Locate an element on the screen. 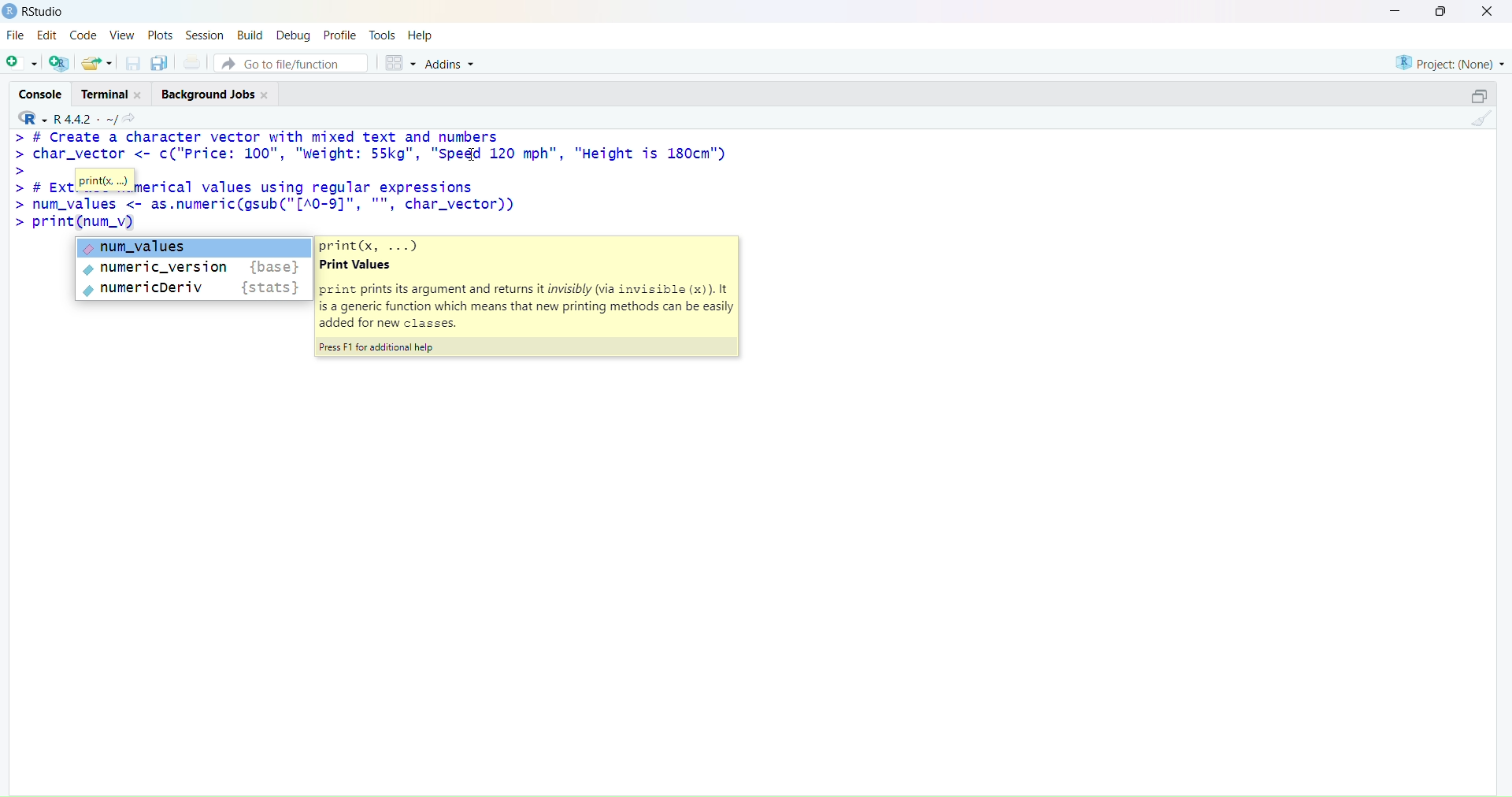 The image size is (1512, 797). > num_values <- as.numeric(gsub("[A0-9]", "", char_vector))
> print(num_v) is located at coordinates (264, 214).